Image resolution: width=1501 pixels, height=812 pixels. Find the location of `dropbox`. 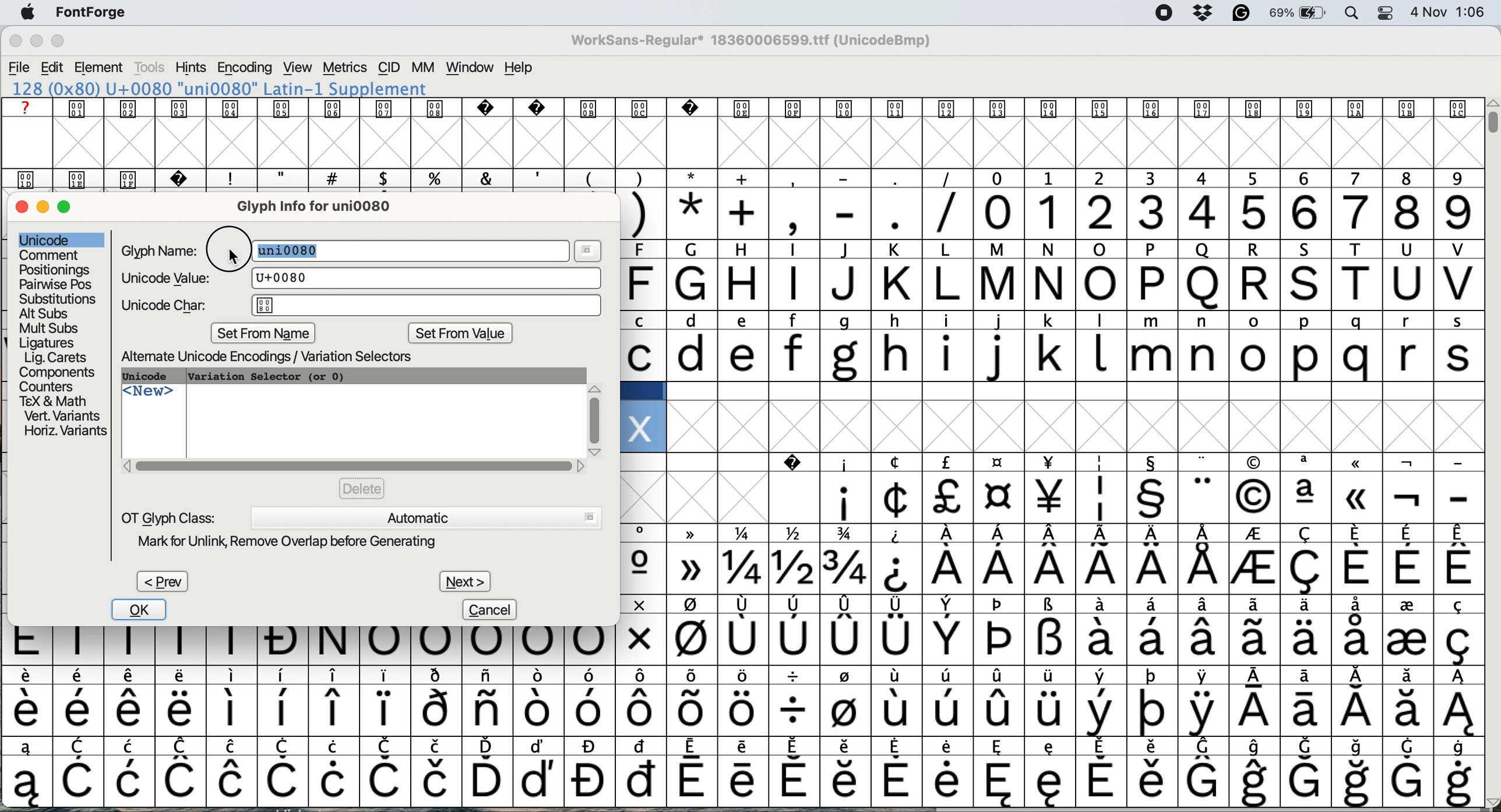

dropbox is located at coordinates (1201, 13).